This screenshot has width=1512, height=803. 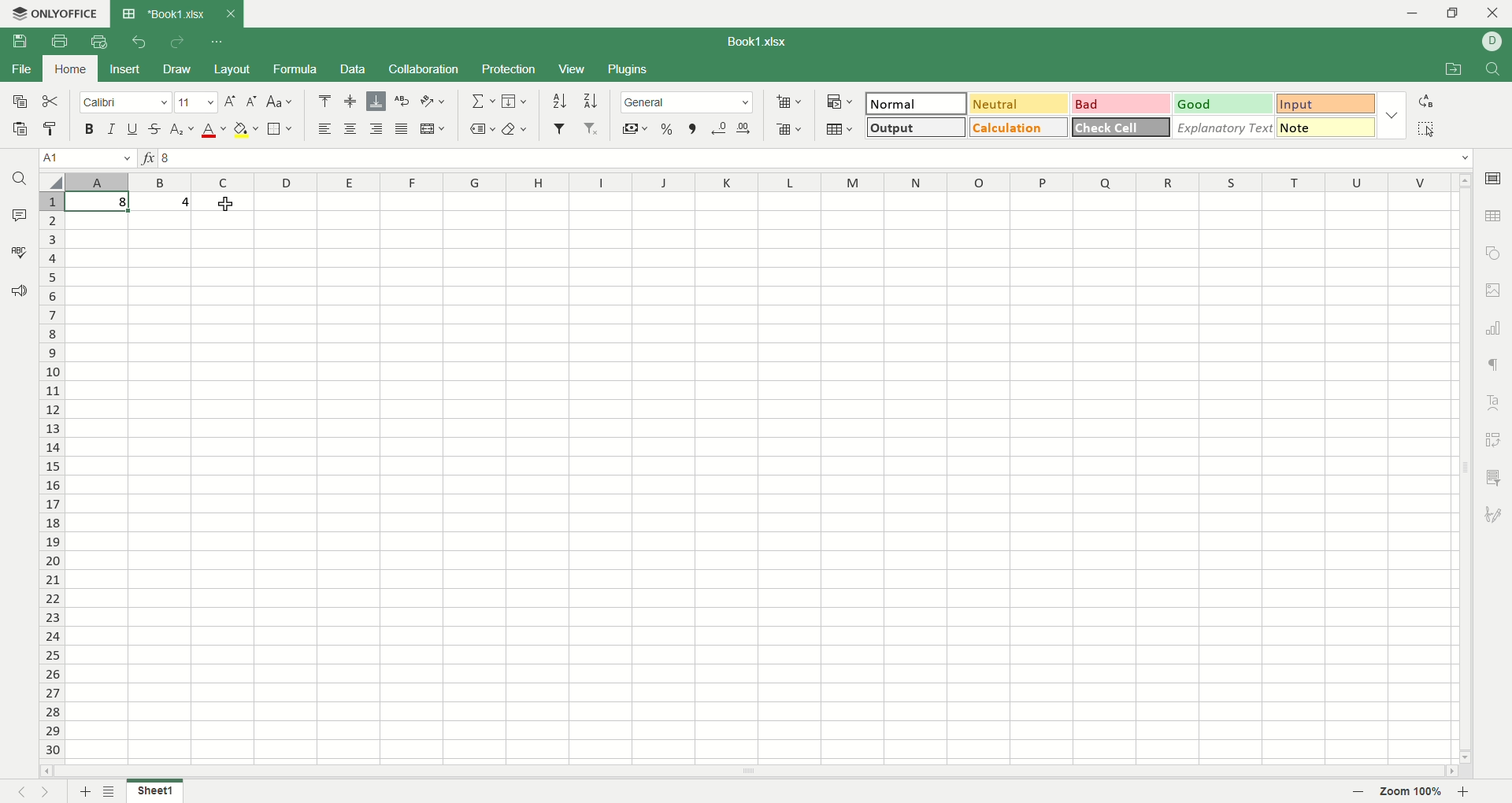 I want to click on collaboration, so click(x=425, y=69).